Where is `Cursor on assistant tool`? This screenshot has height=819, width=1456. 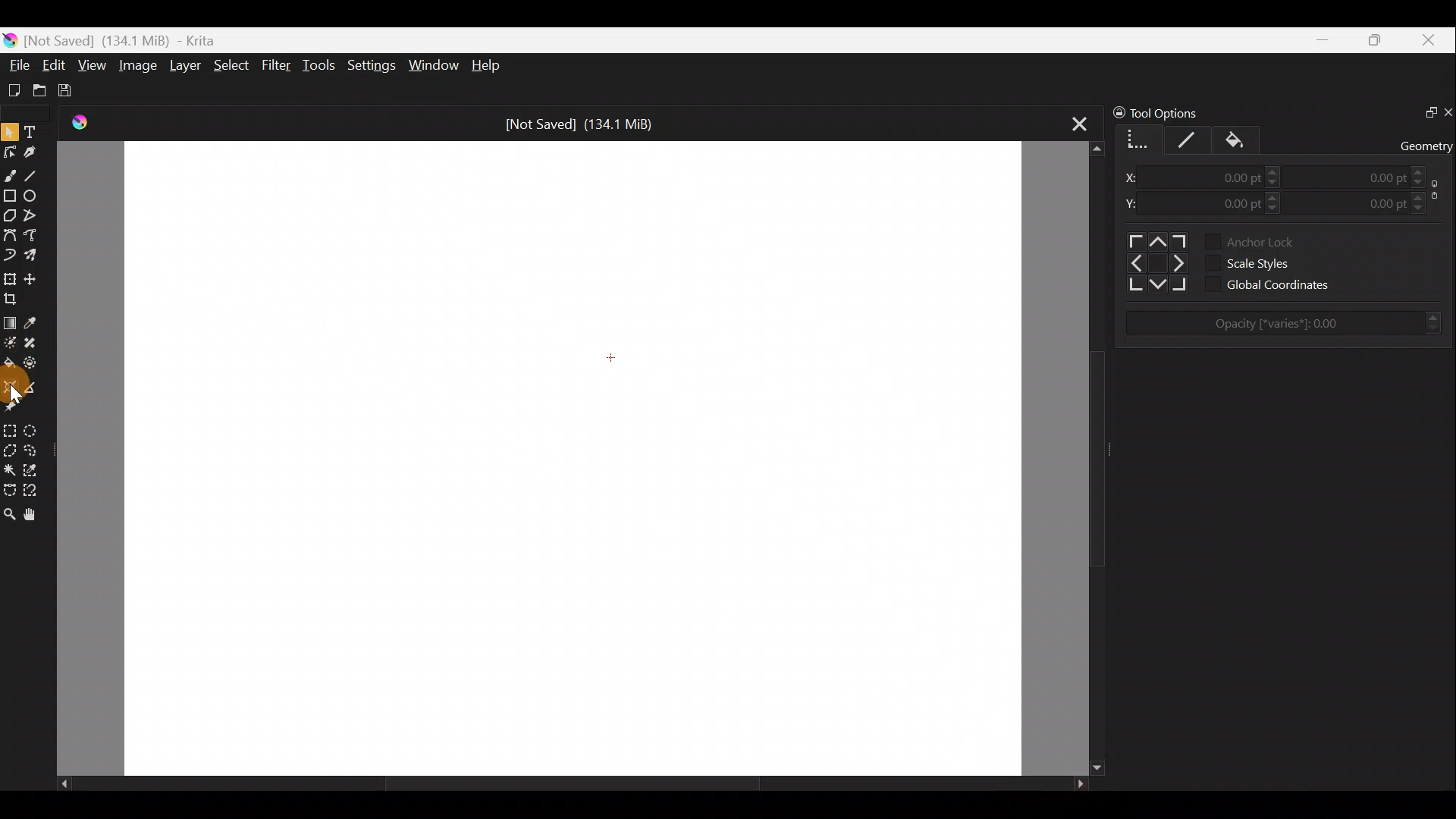 Cursor on assistant tool is located at coordinates (13, 386).